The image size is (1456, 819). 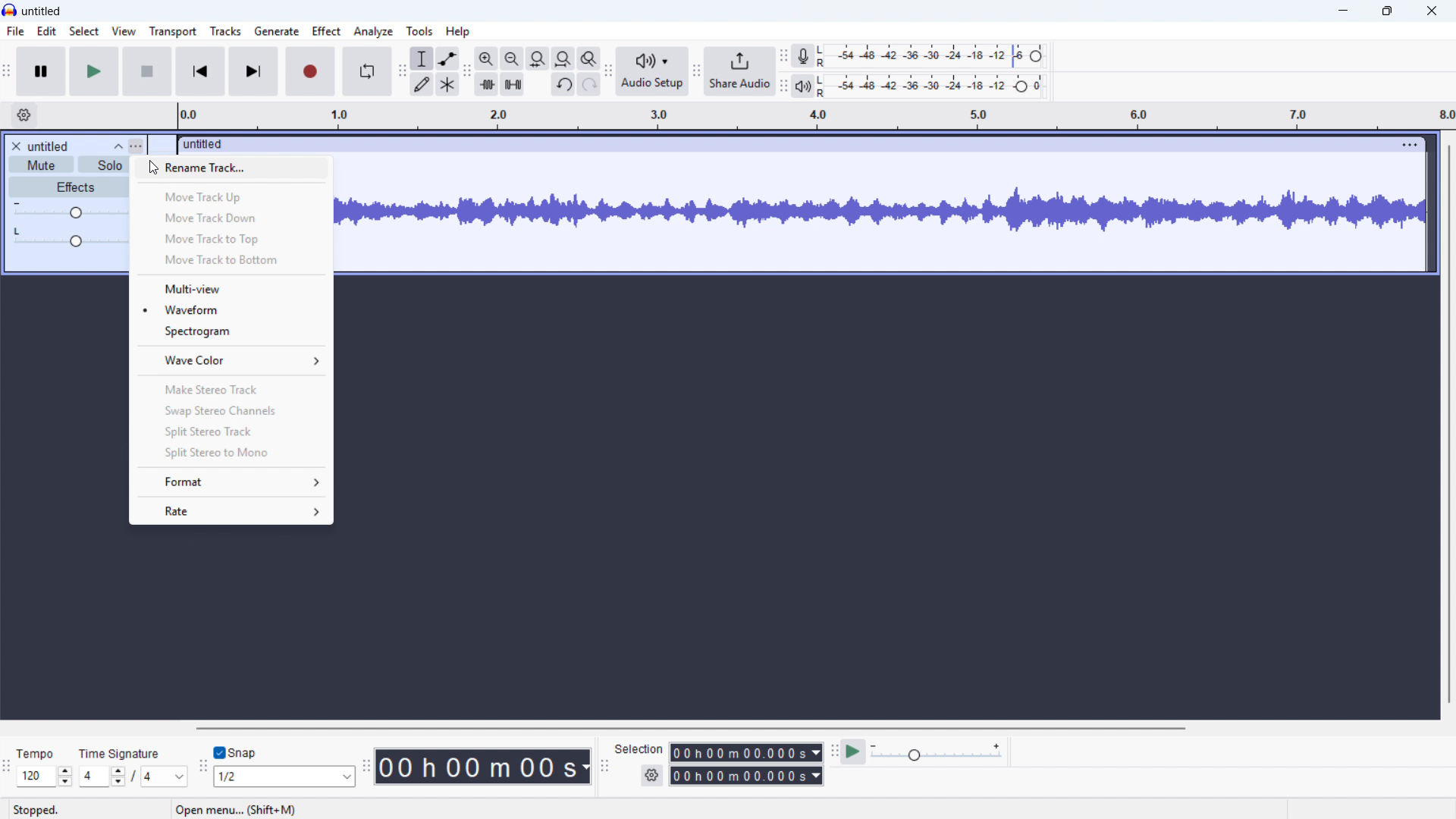 What do you see at coordinates (1389, 11) in the screenshot?
I see `maximise` at bounding box center [1389, 11].